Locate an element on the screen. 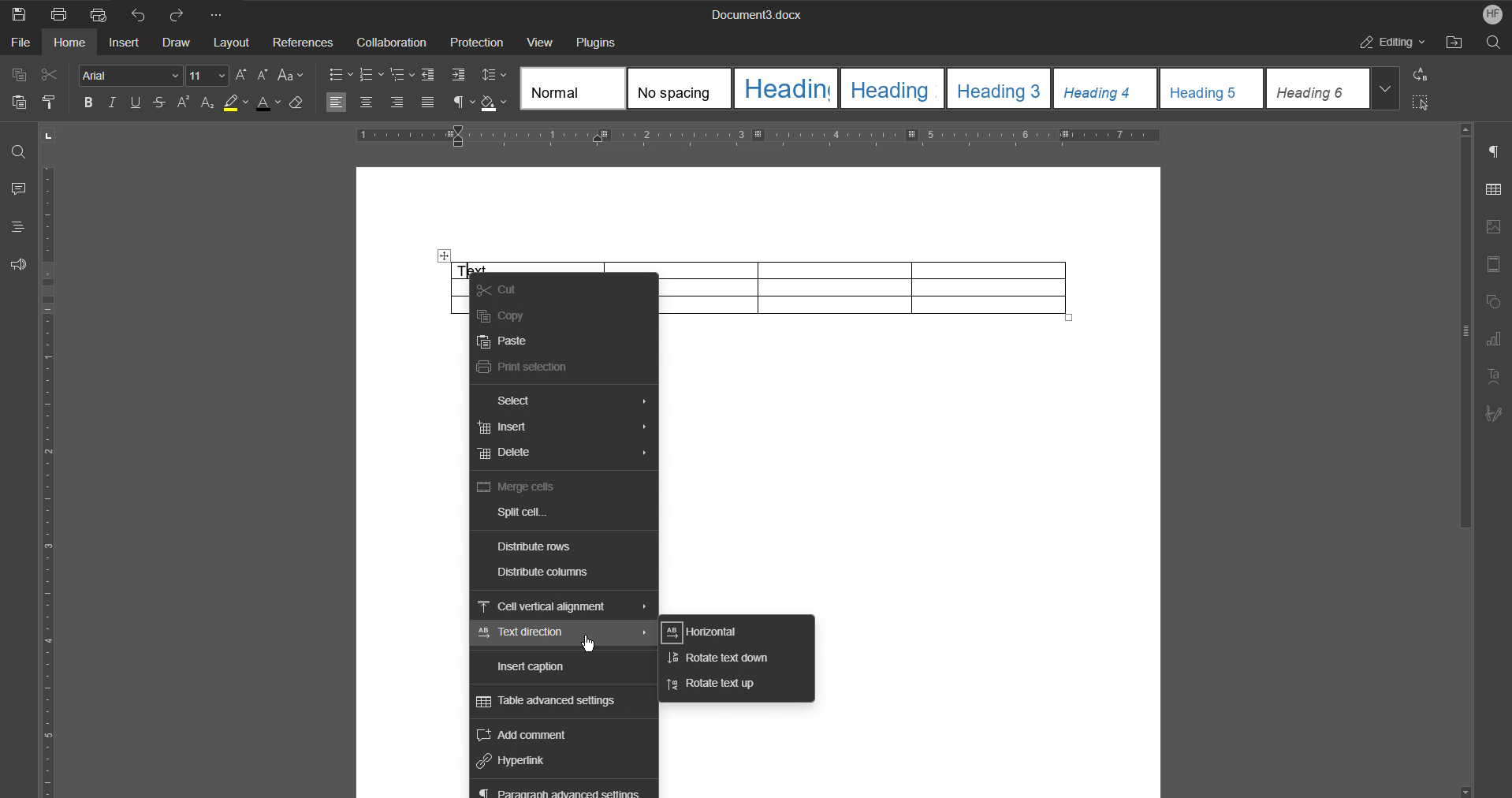  Superscript is located at coordinates (181, 102).